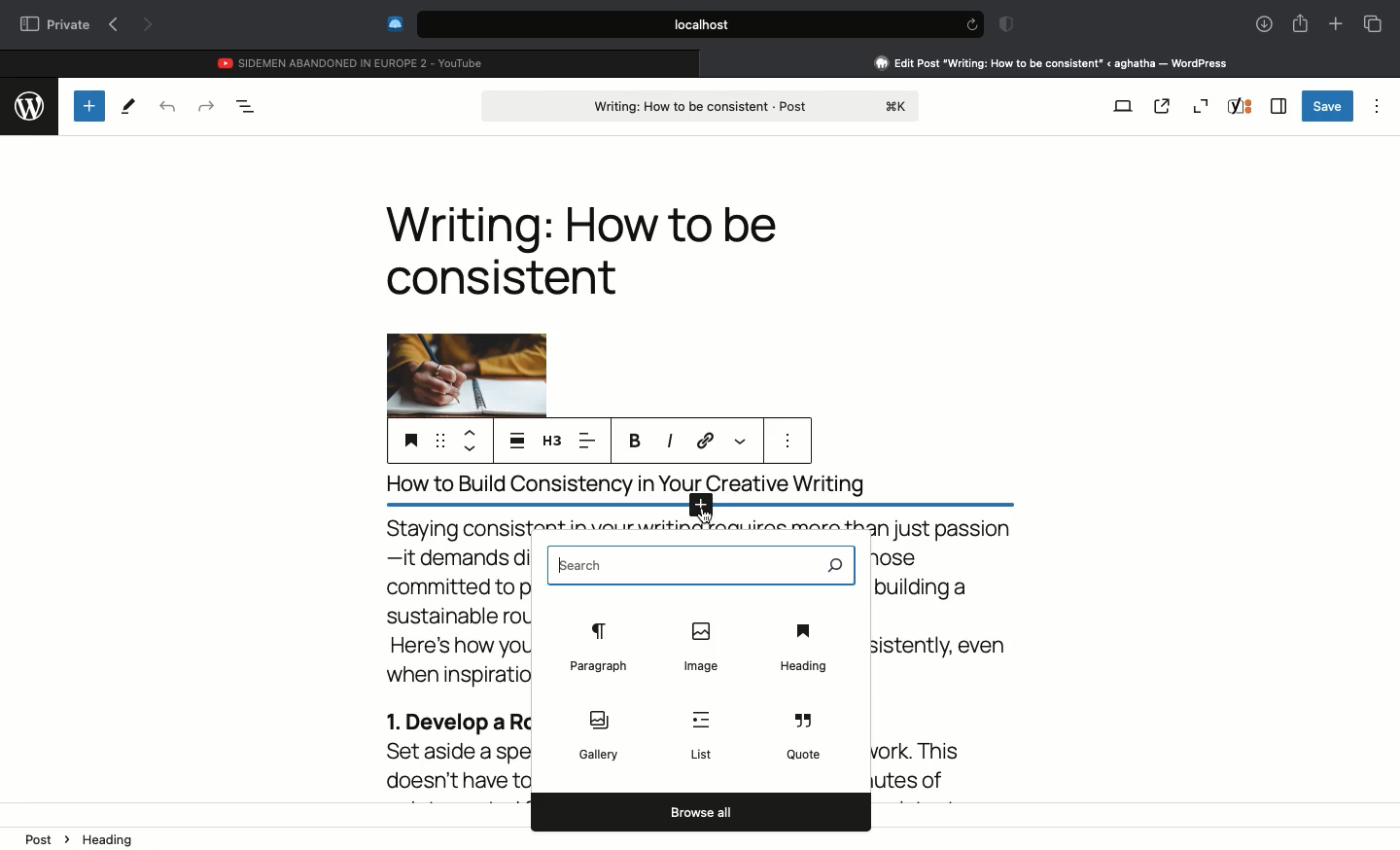  Describe the element at coordinates (393, 23) in the screenshot. I see `Extensions` at that location.